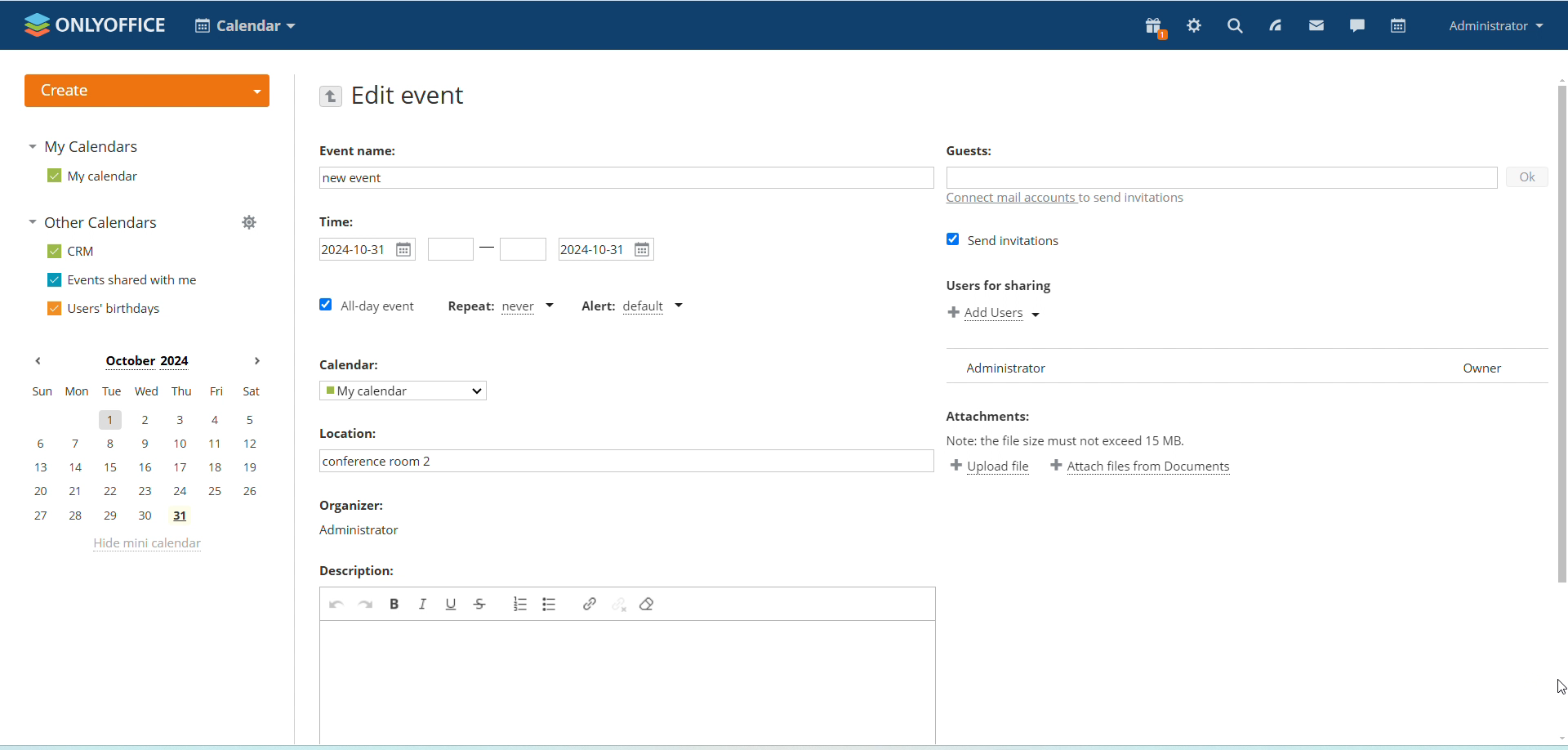 This screenshot has height=750, width=1568. I want to click on link, so click(588, 604).